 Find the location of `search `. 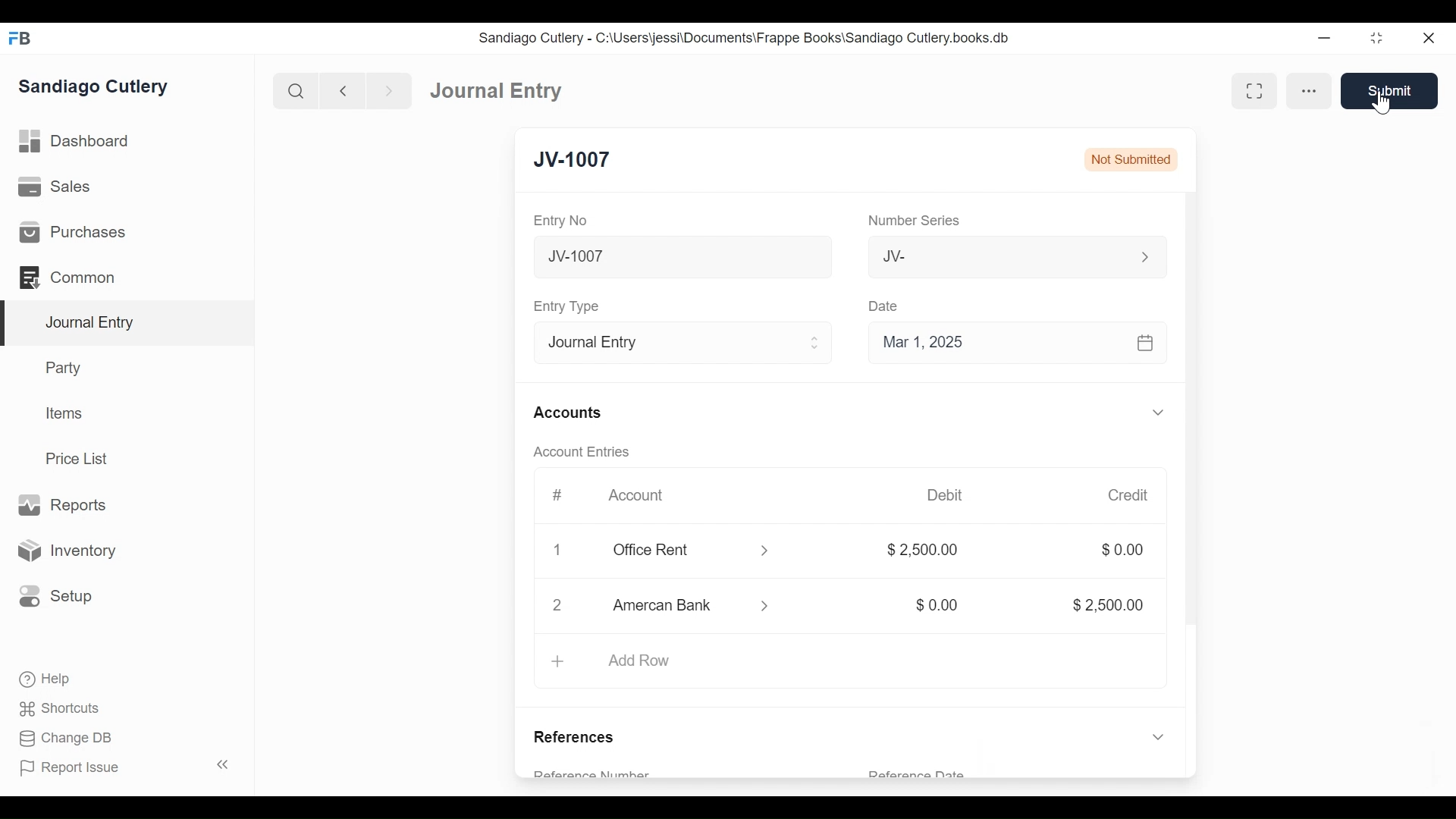

search  is located at coordinates (293, 88).